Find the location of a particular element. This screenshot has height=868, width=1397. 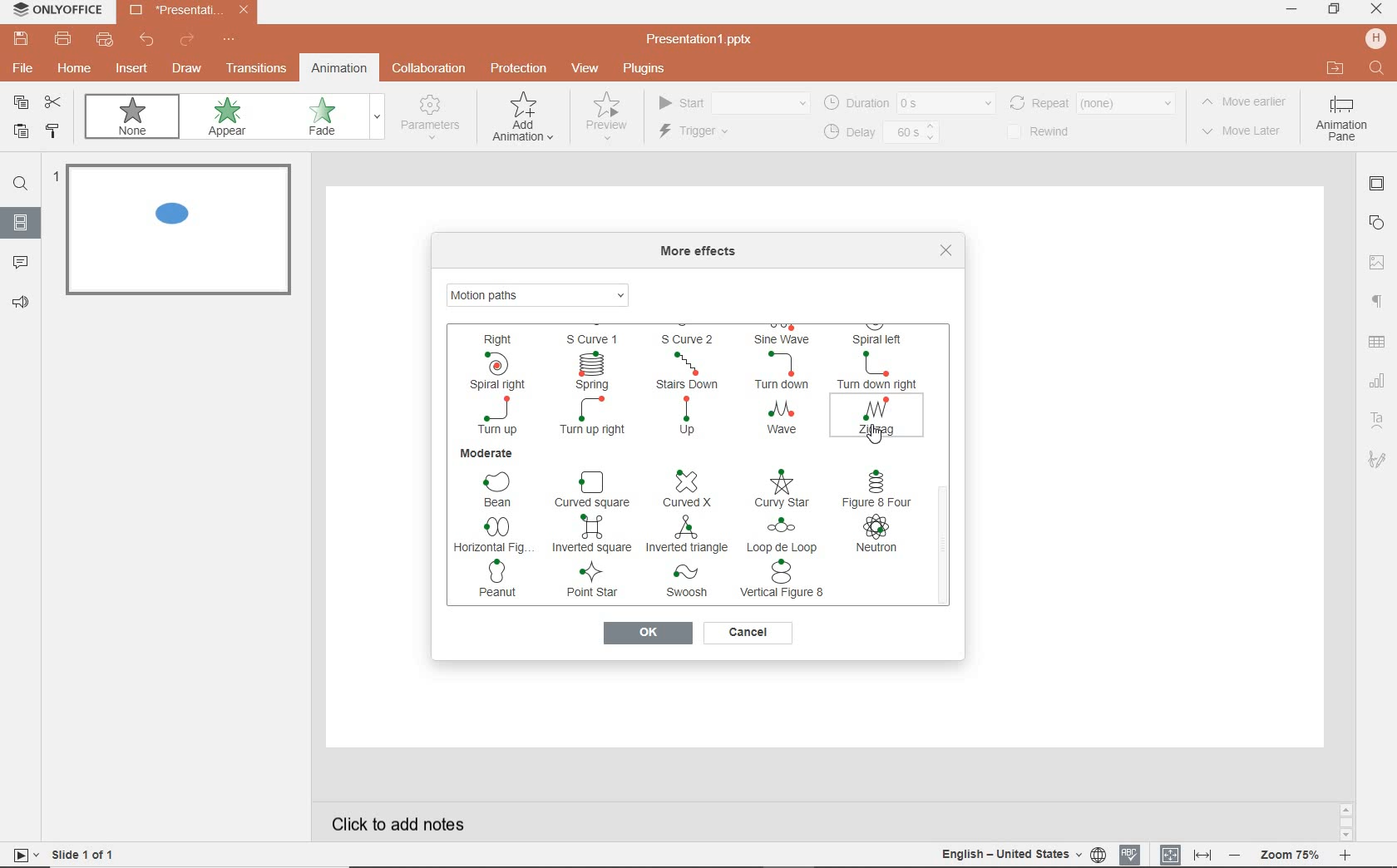

file name is located at coordinates (190, 12).